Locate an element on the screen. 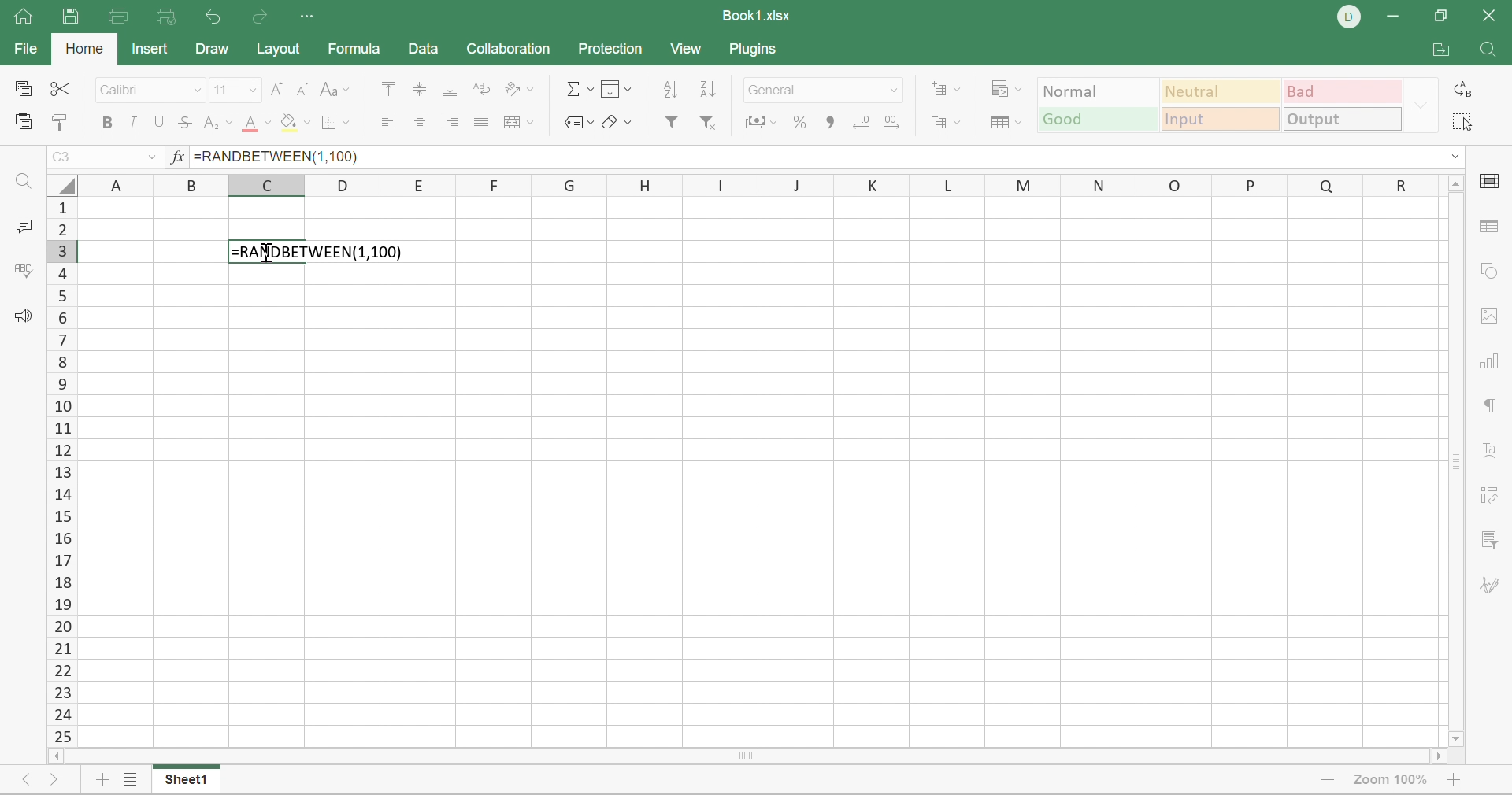 The width and height of the screenshot is (1512, 795). Bad is located at coordinates (1341, 91).